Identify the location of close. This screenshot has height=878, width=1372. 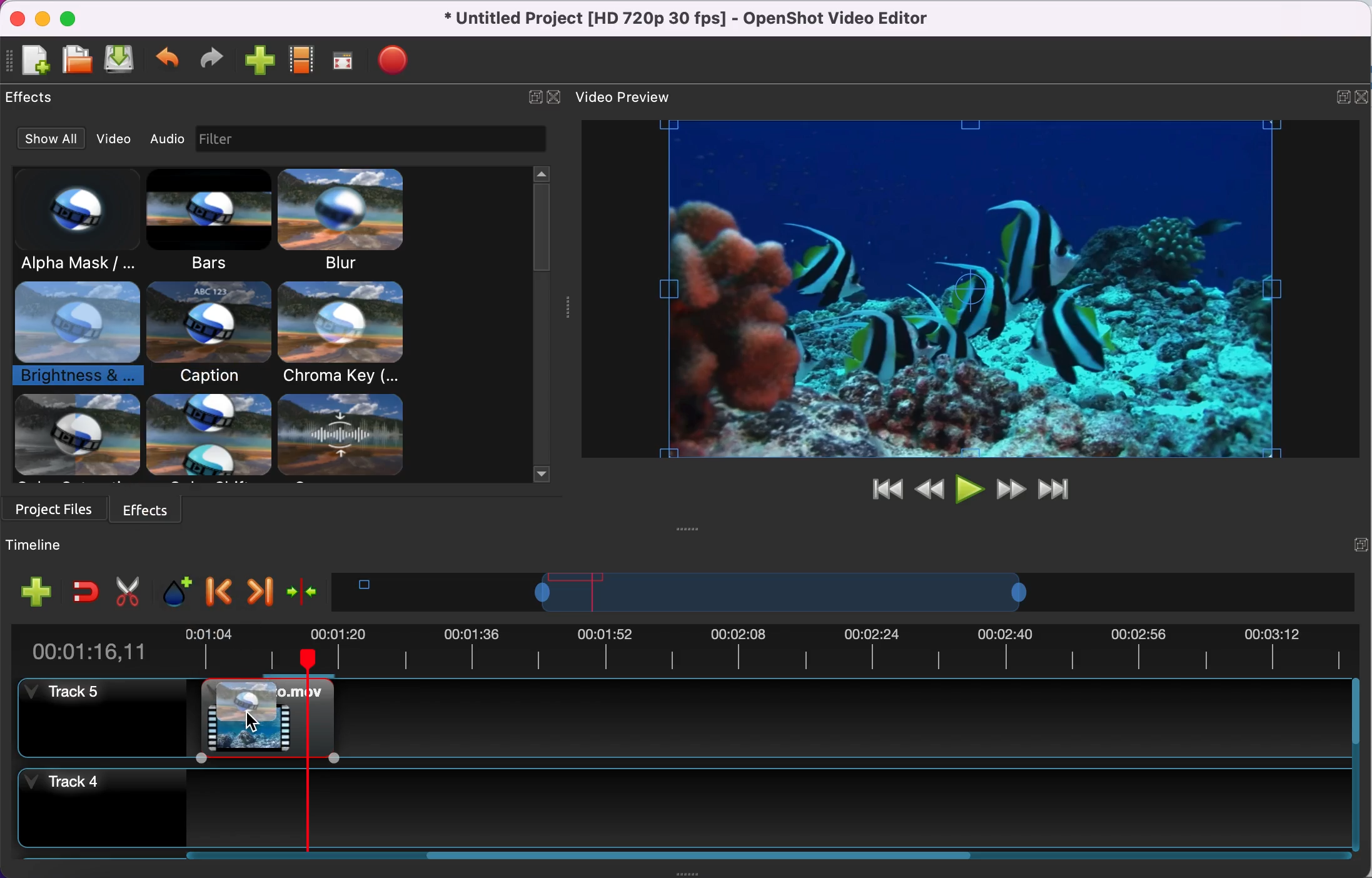
(555, 96).